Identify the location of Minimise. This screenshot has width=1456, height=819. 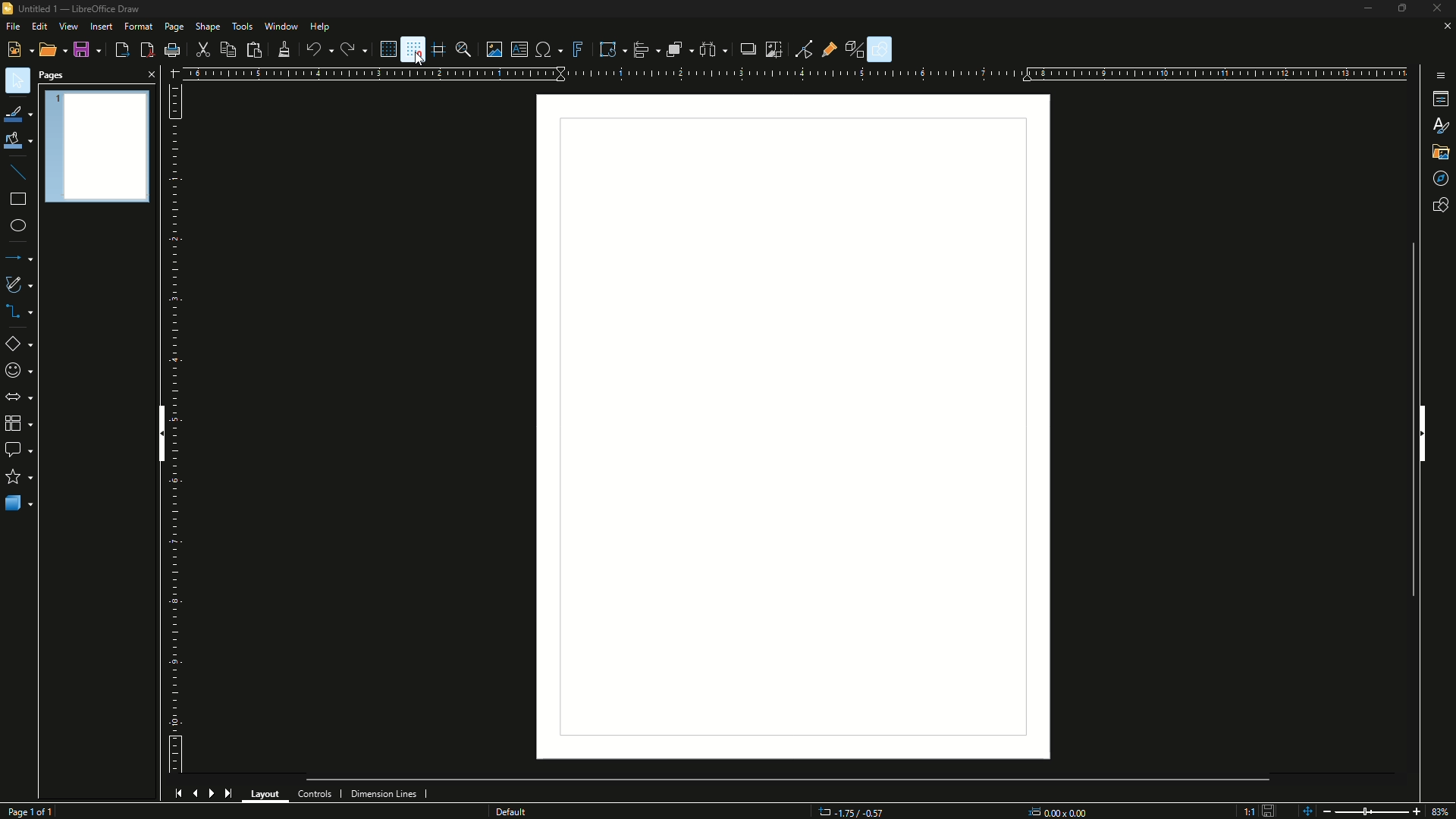
(1365, 9).